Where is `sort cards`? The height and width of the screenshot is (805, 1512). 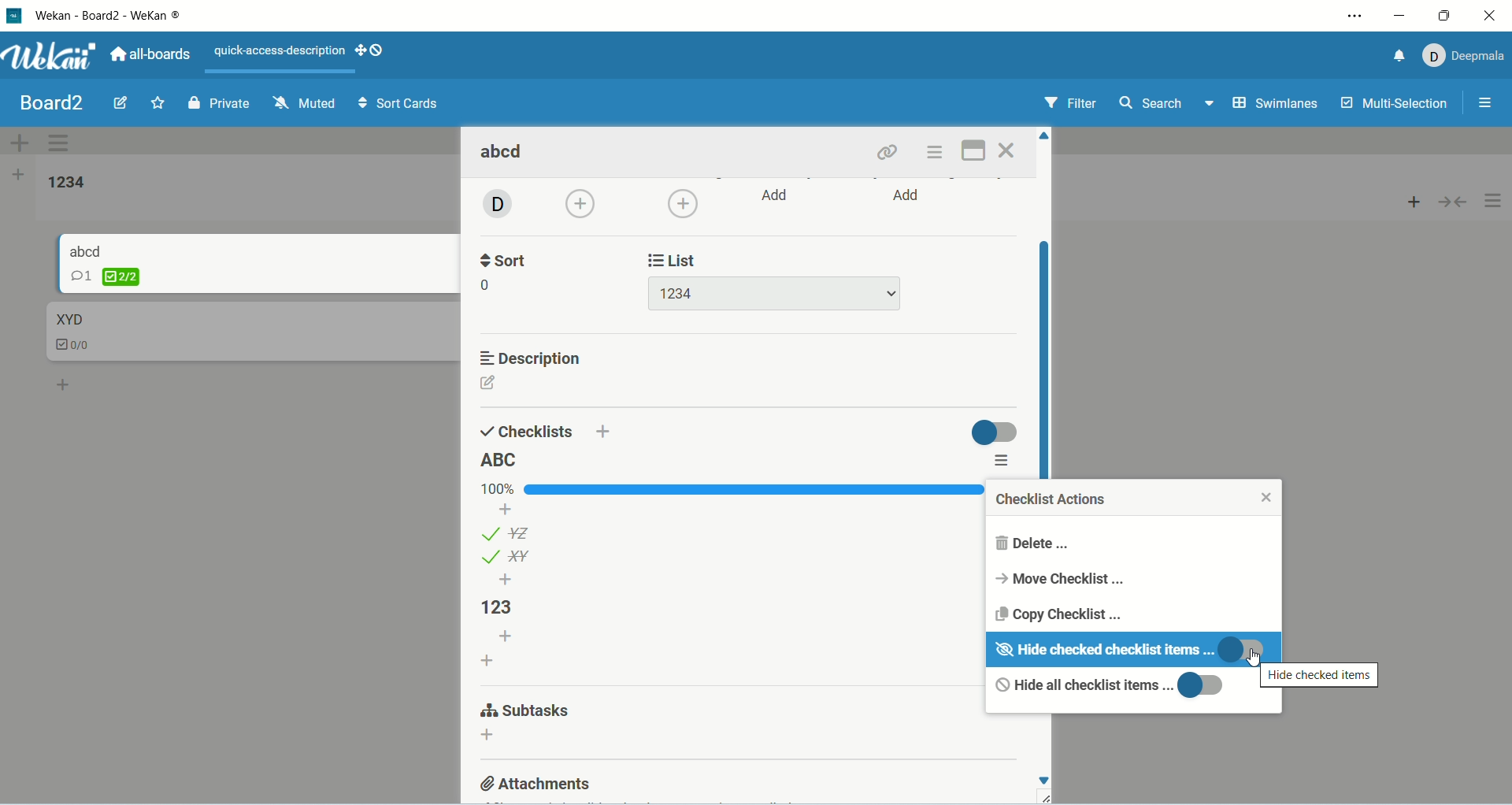
sort cards is located at coordinates (400, 104).